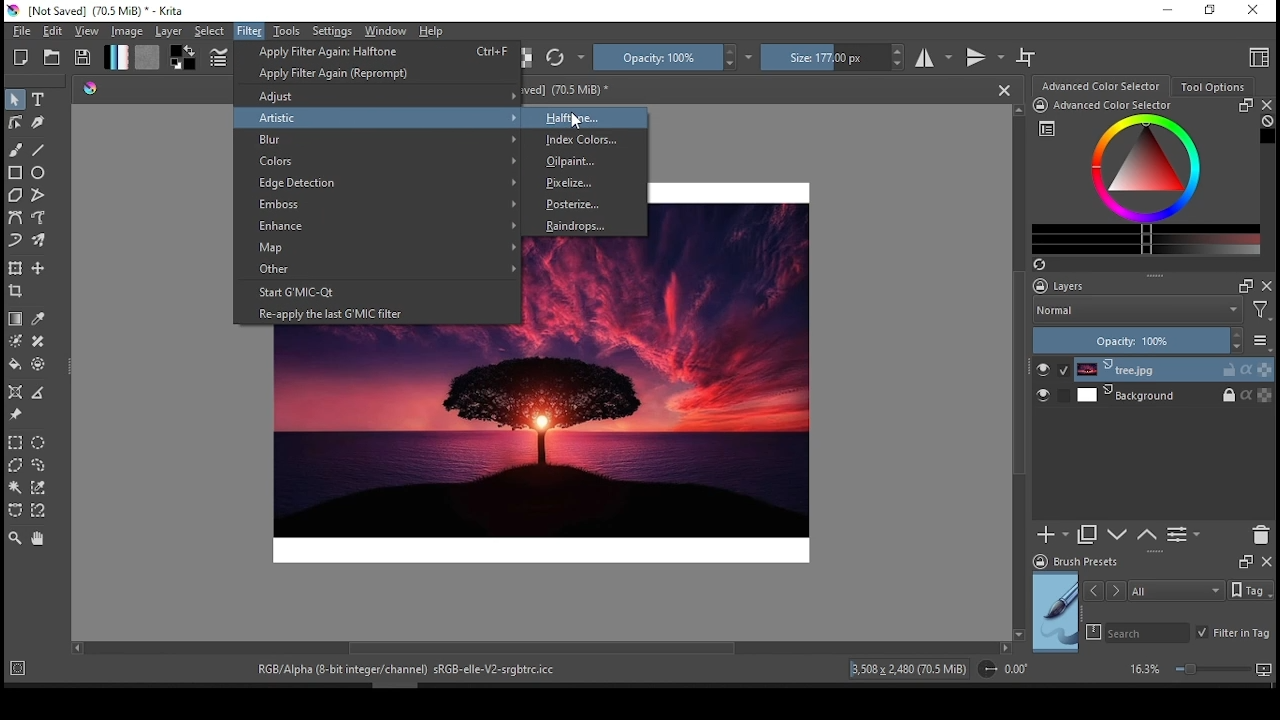 Image resolution: width=1280 pixels, height=720 pixels. What do you see at coordinates (148, 57) in the screenshot?
I see `fill pattern` at bounding box center [148, 57].